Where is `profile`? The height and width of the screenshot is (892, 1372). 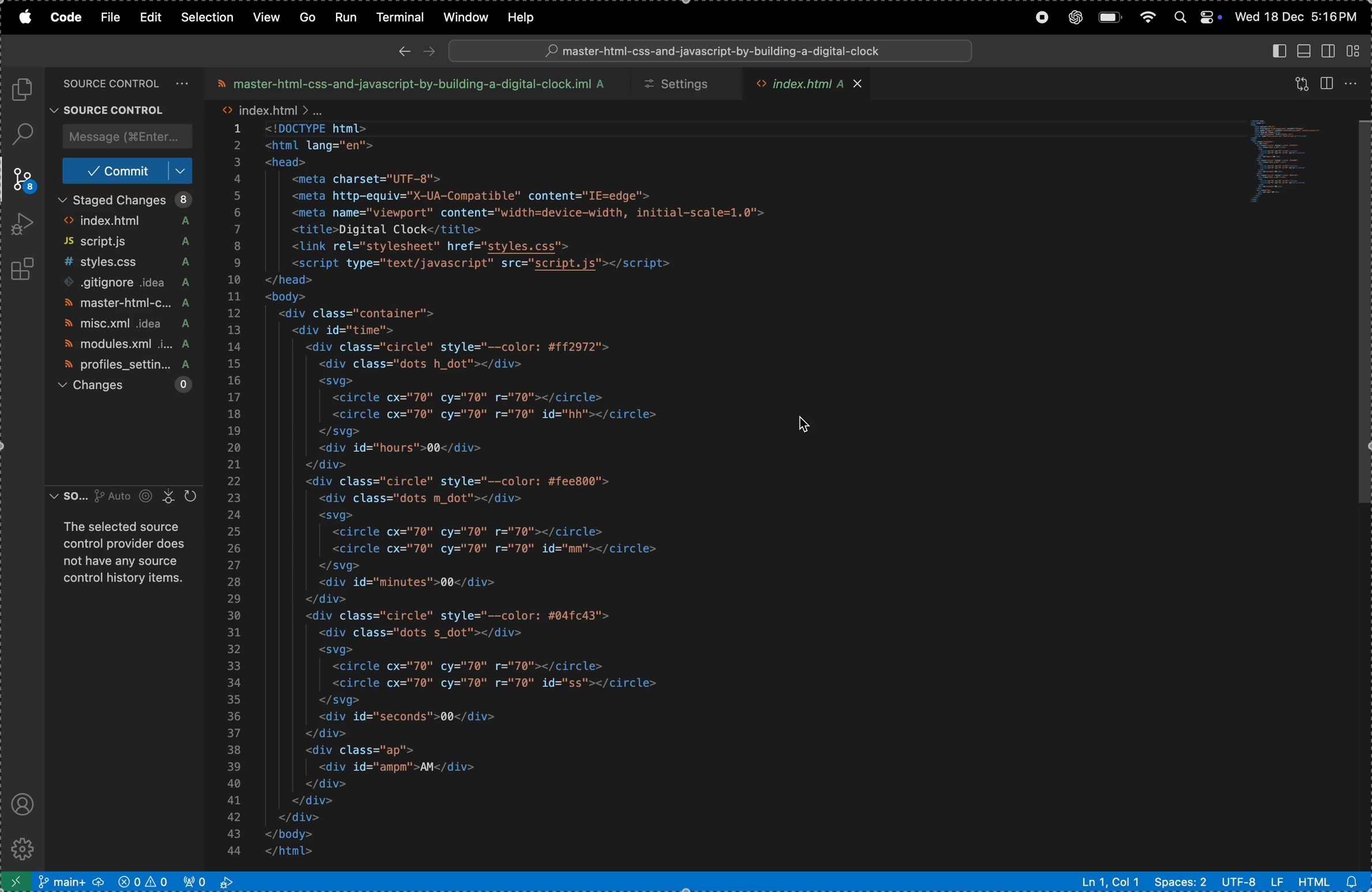
profile is located at coordinates (20, 802).